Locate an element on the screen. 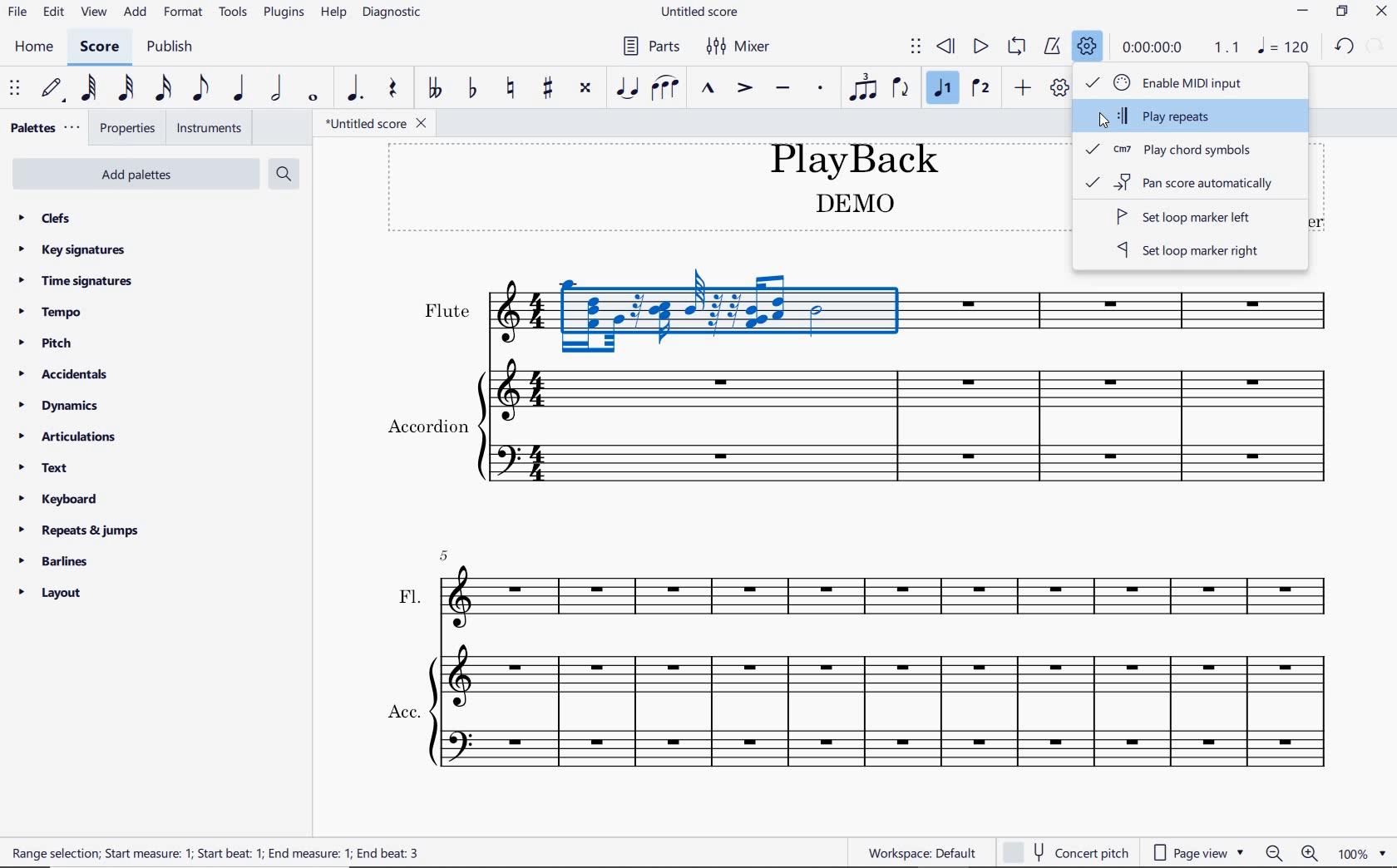  tools is located at coordinates (233, 12).